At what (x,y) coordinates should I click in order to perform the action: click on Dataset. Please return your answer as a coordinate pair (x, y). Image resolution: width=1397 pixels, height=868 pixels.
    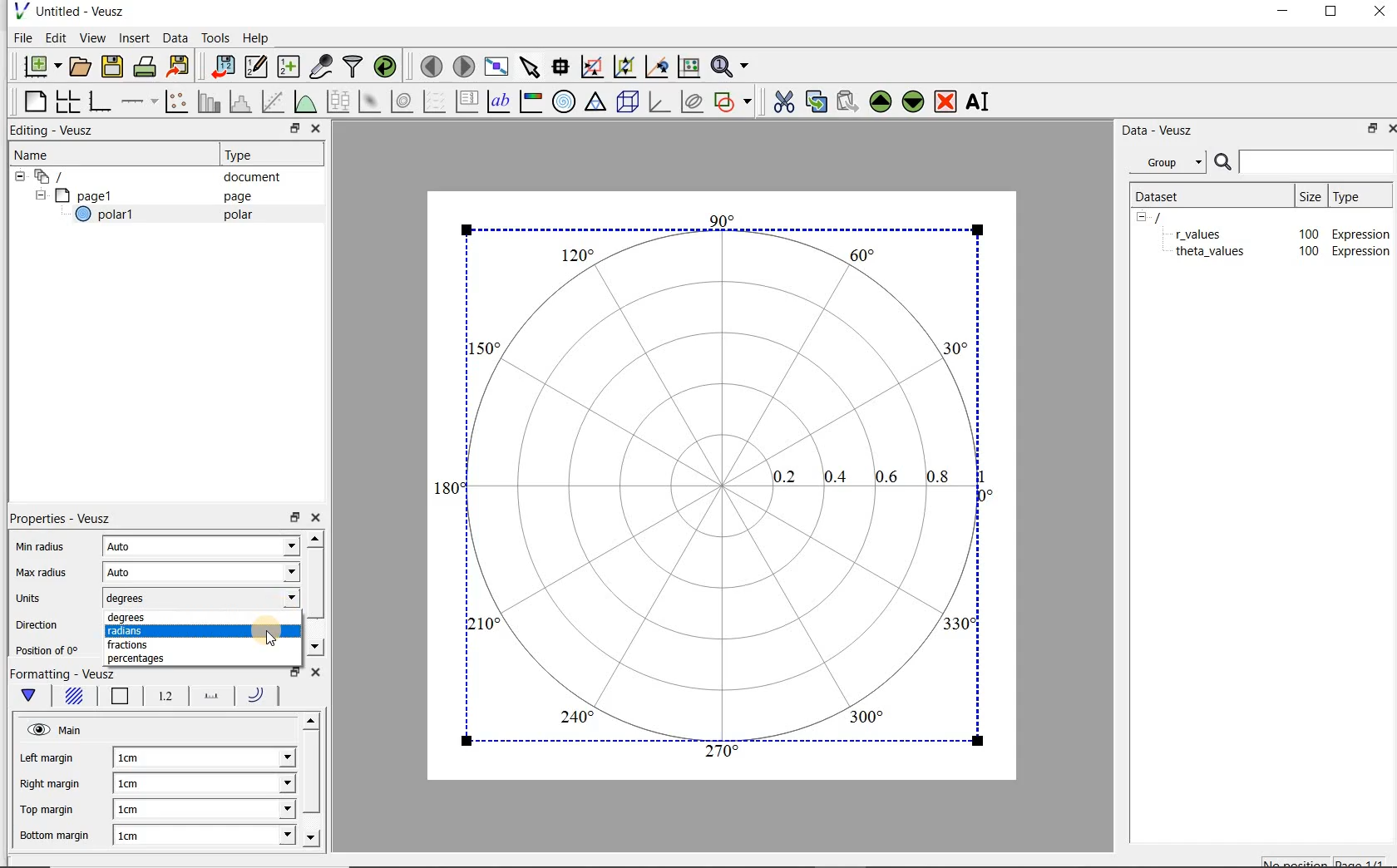
    Looking at the image, I should click on (1166, 195).